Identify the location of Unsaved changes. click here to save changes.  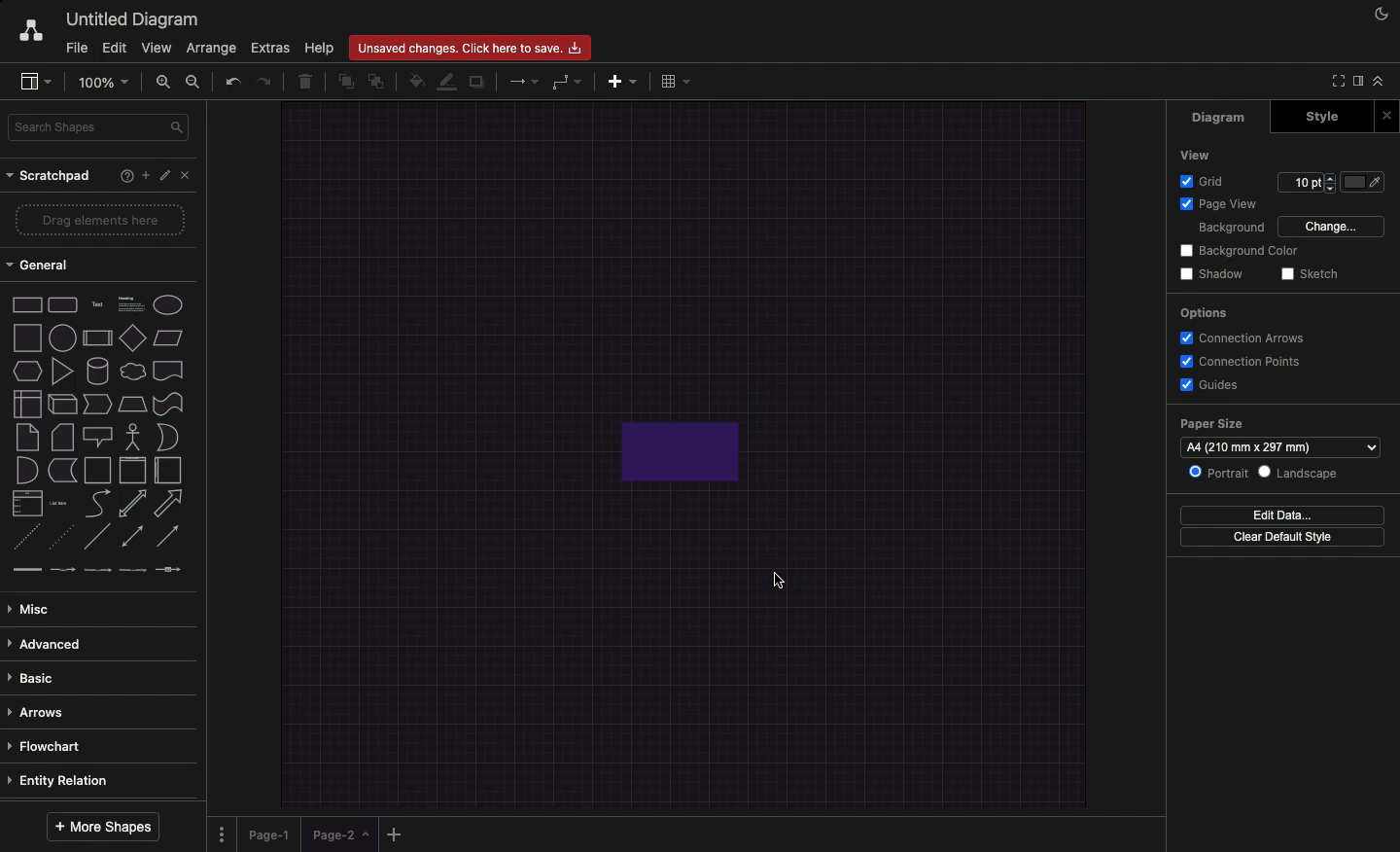
(474, 47).